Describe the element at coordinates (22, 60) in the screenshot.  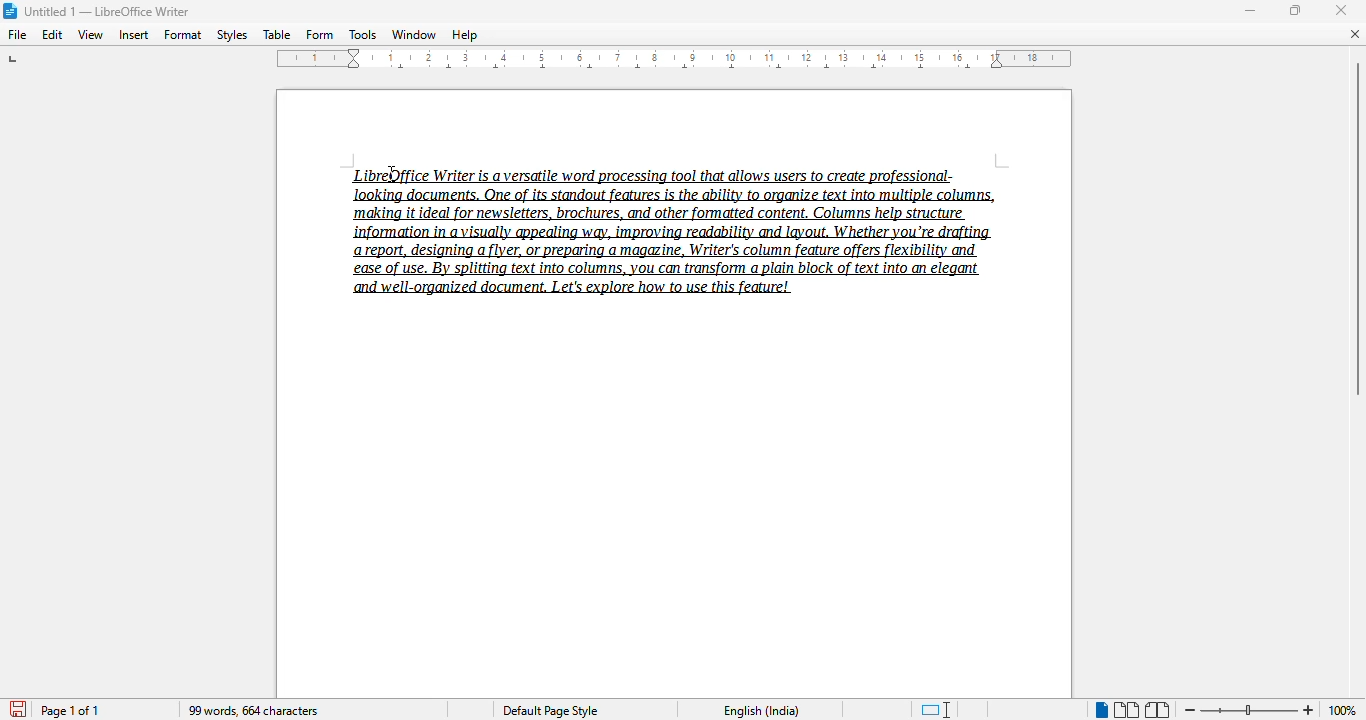
I see `tab stop` at that location.